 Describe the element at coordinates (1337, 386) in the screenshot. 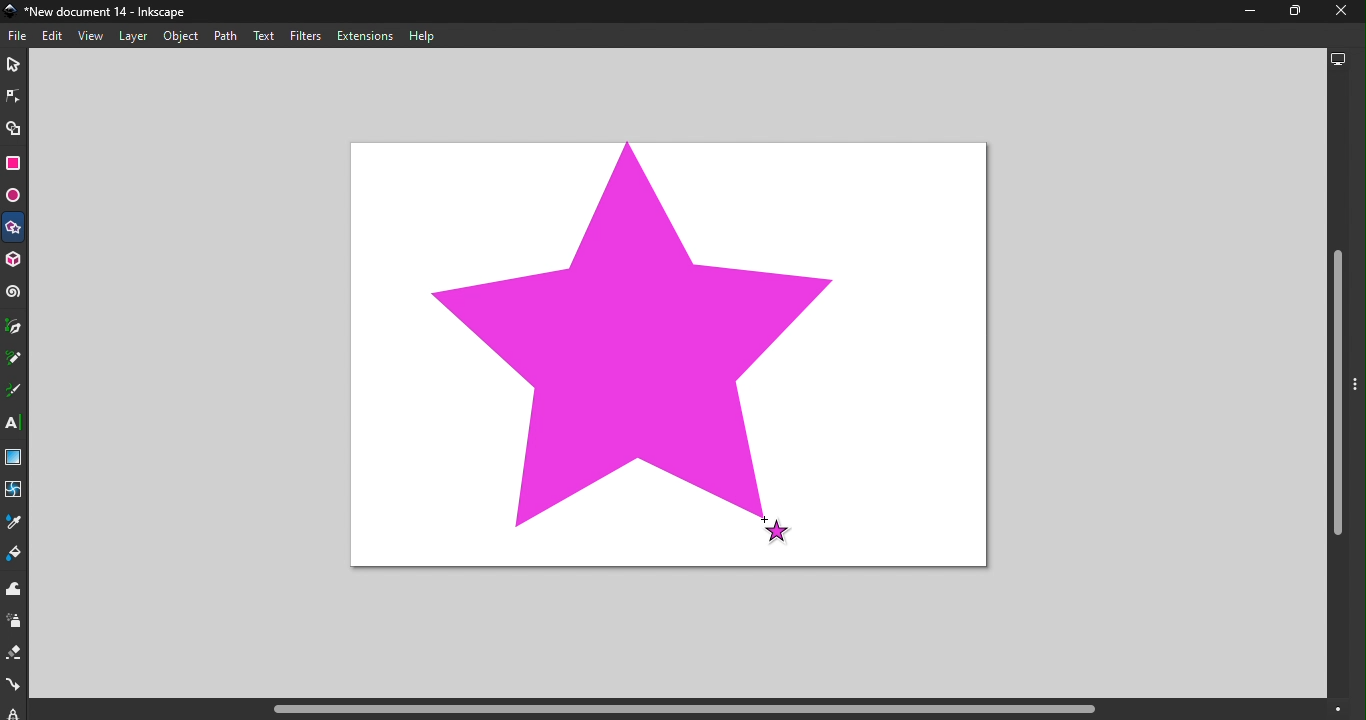

I see `Vertical scroll bar` at that location.